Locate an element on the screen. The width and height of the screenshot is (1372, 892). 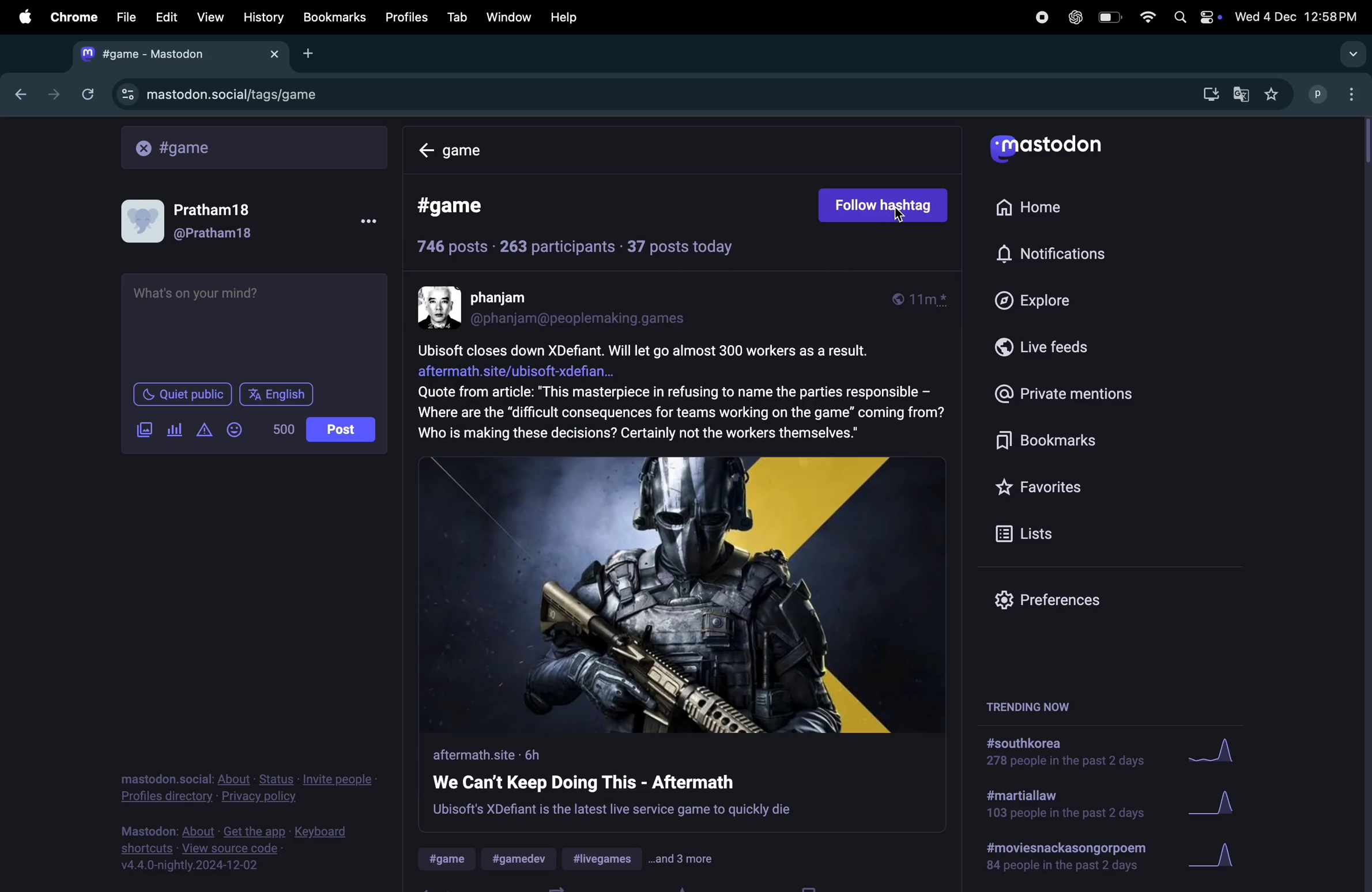
cursor is located at coordinates (900, 219).